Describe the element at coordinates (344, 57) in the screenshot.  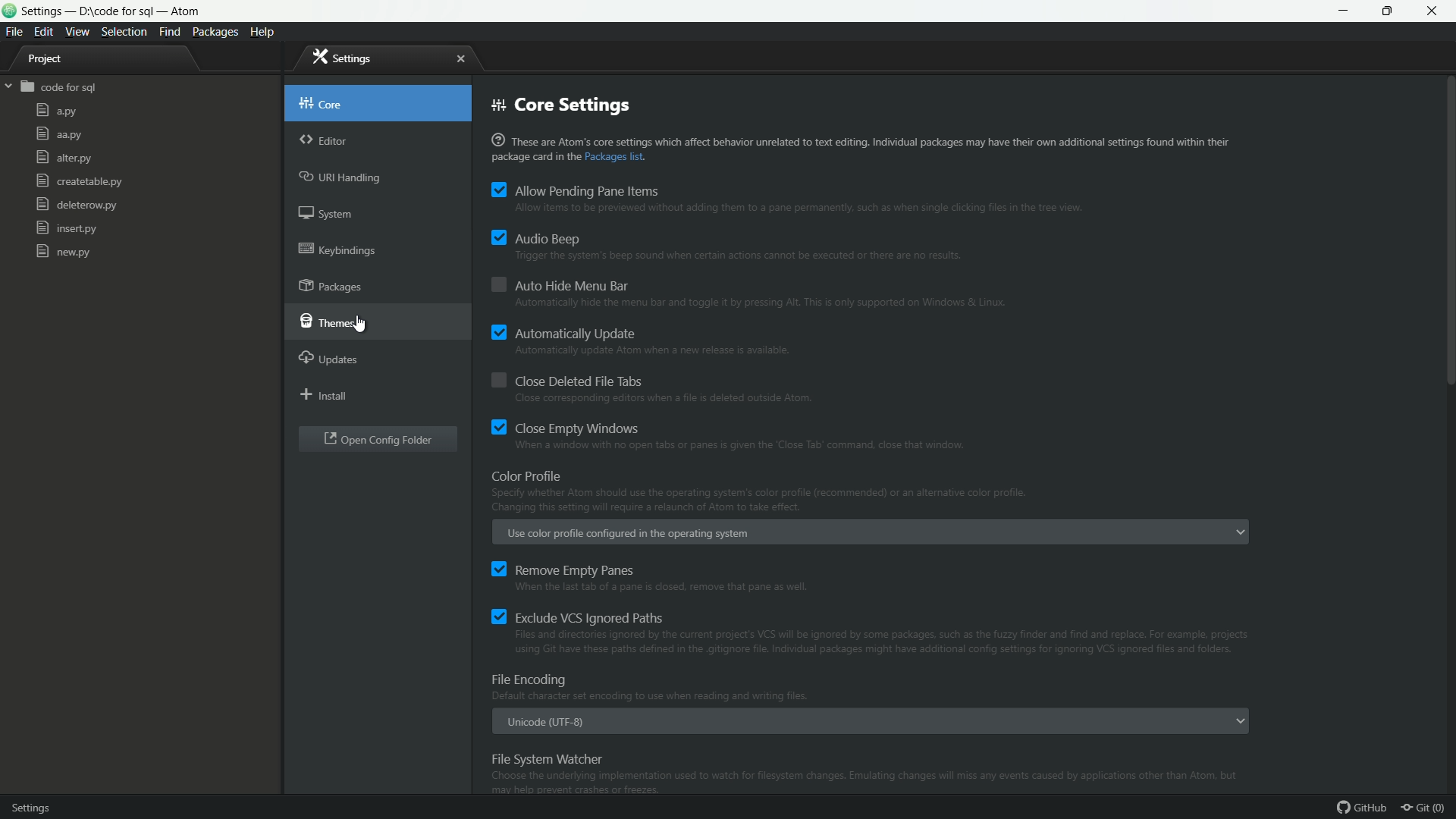
I see `settings` at that location.